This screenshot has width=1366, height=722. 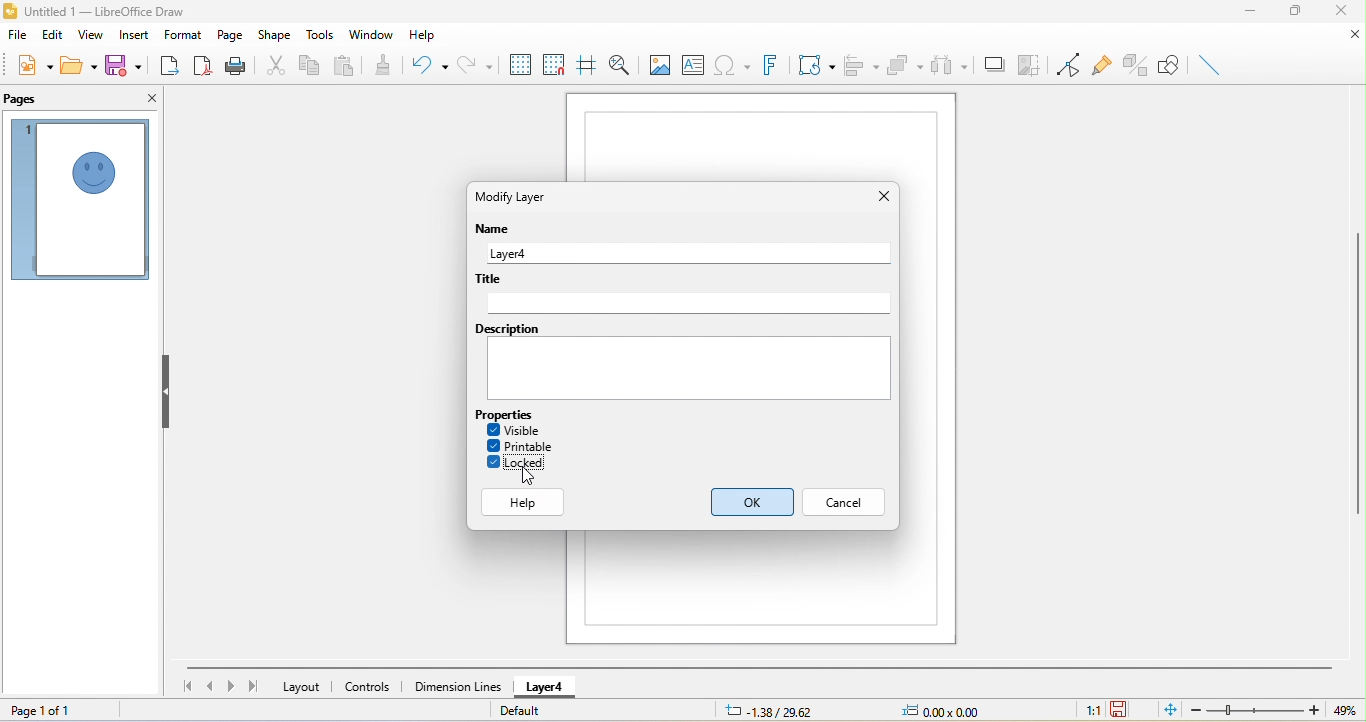 I want to click on help, so click(x=421, y=36).